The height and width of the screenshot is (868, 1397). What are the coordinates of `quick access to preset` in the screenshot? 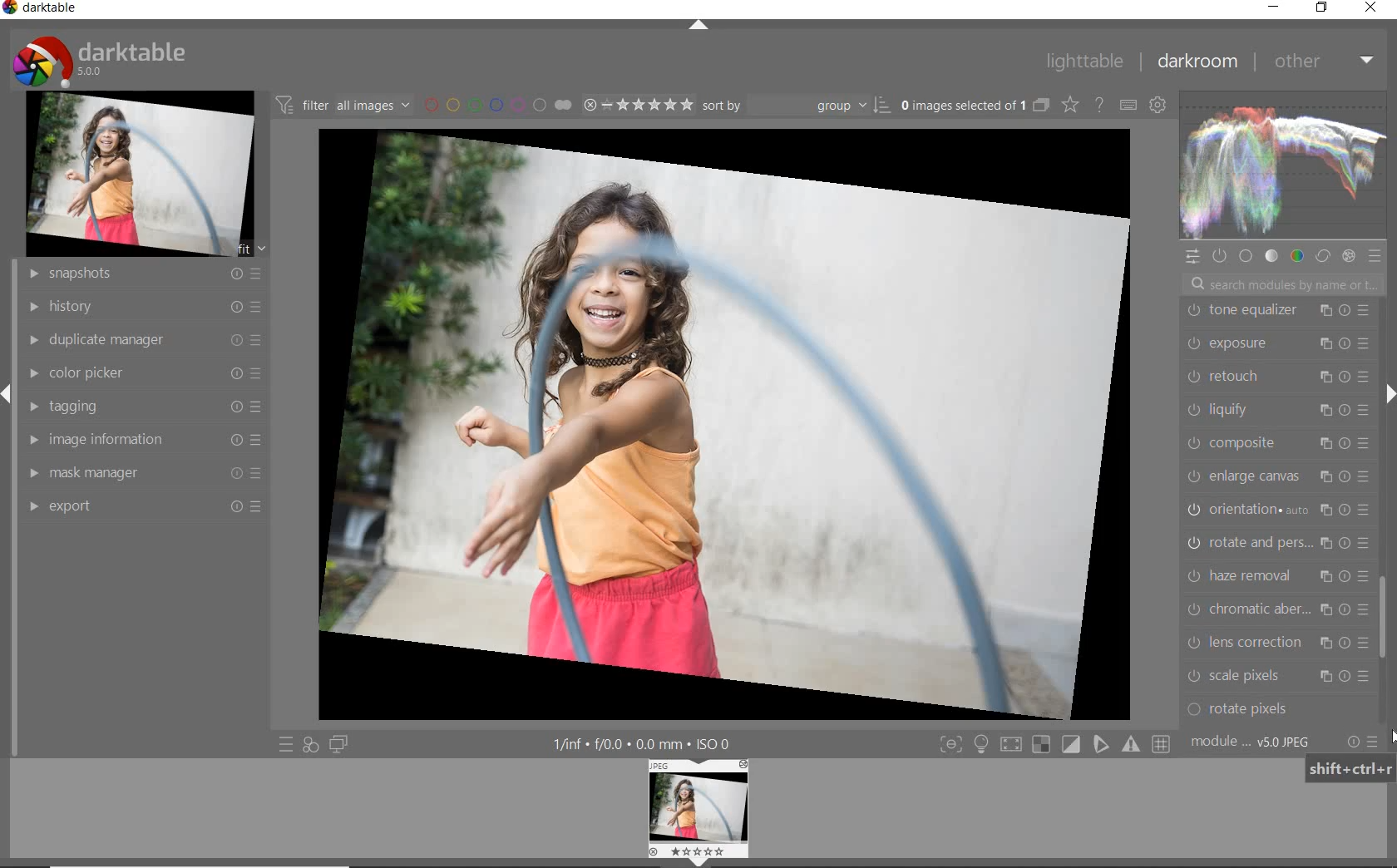 It's located at (287, 743).